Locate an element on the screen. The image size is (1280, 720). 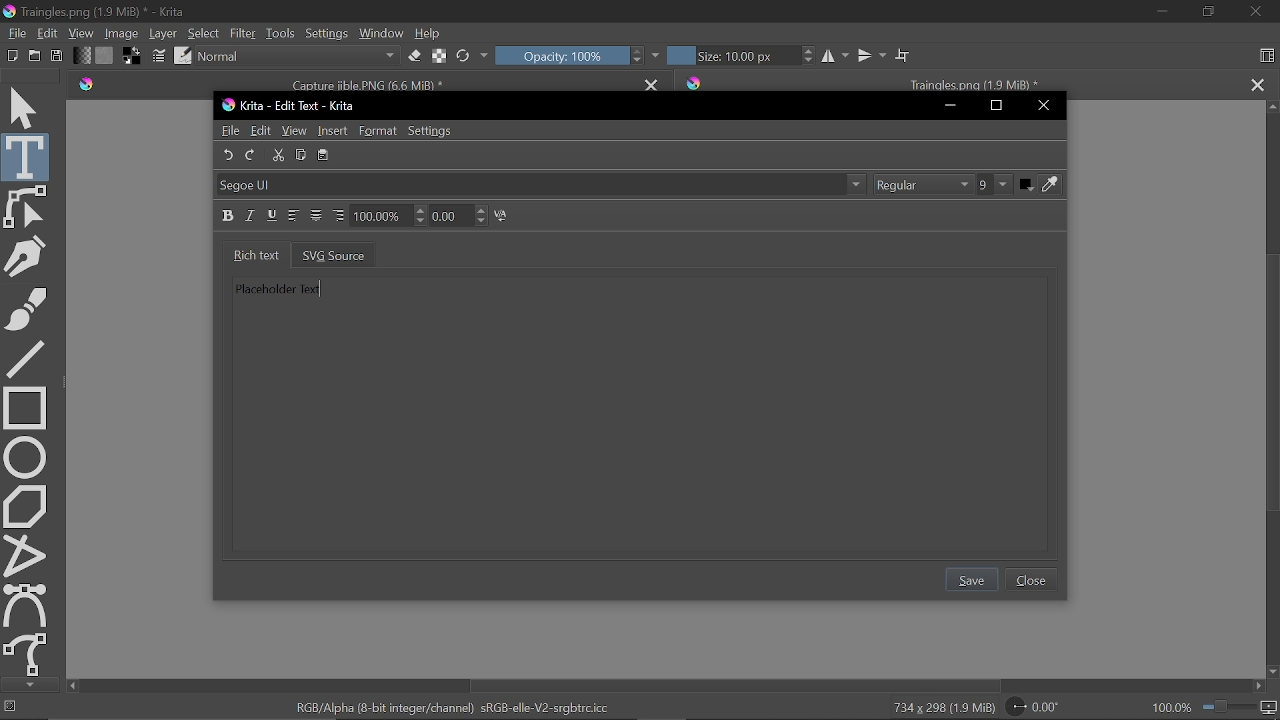
Close is located at coordinates (1030, 579).